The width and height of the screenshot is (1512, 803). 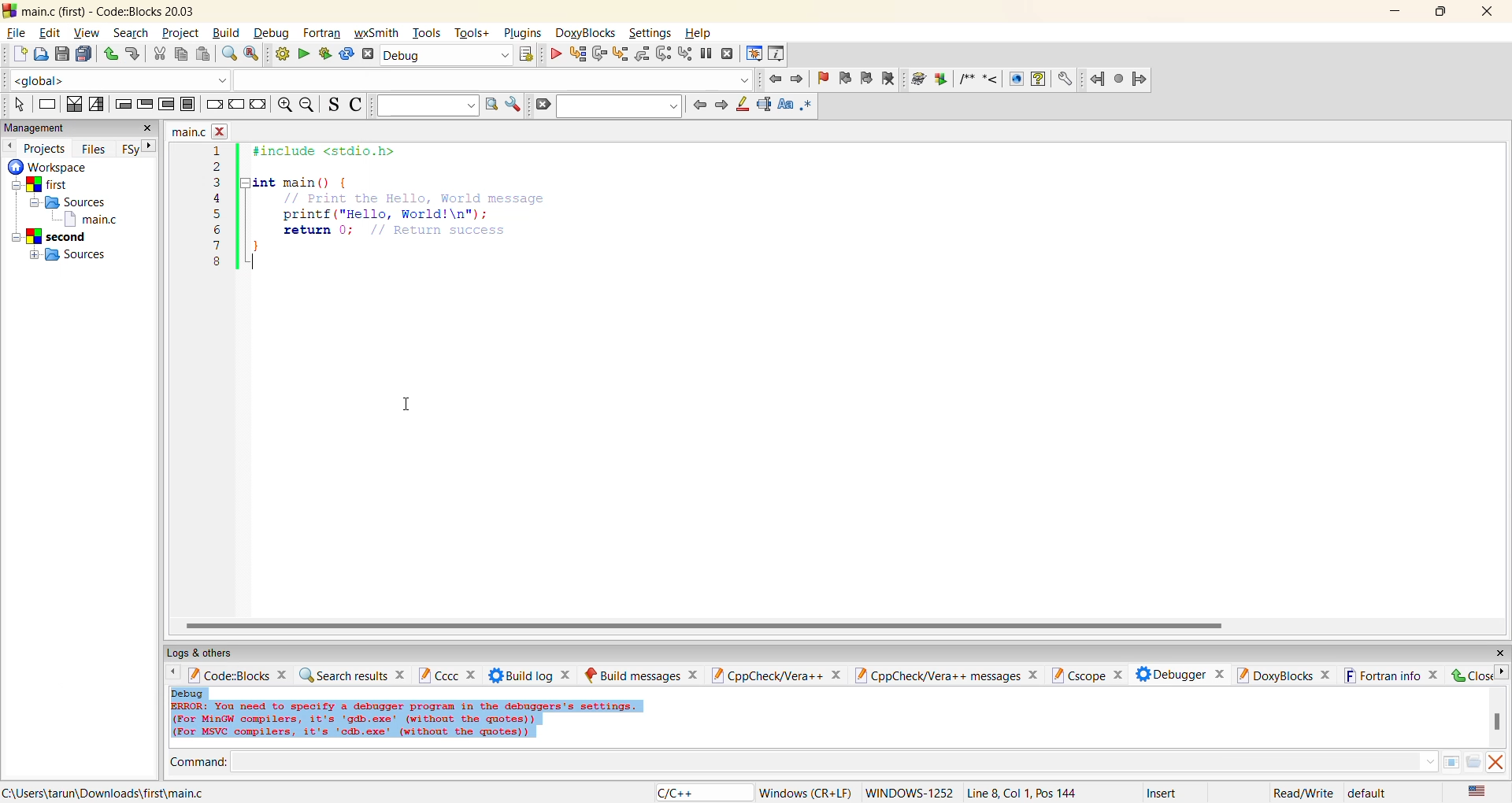 What do you see at coordinates (48, 126) in the screenshot?
I see `management` at bounding box center [48, 126].